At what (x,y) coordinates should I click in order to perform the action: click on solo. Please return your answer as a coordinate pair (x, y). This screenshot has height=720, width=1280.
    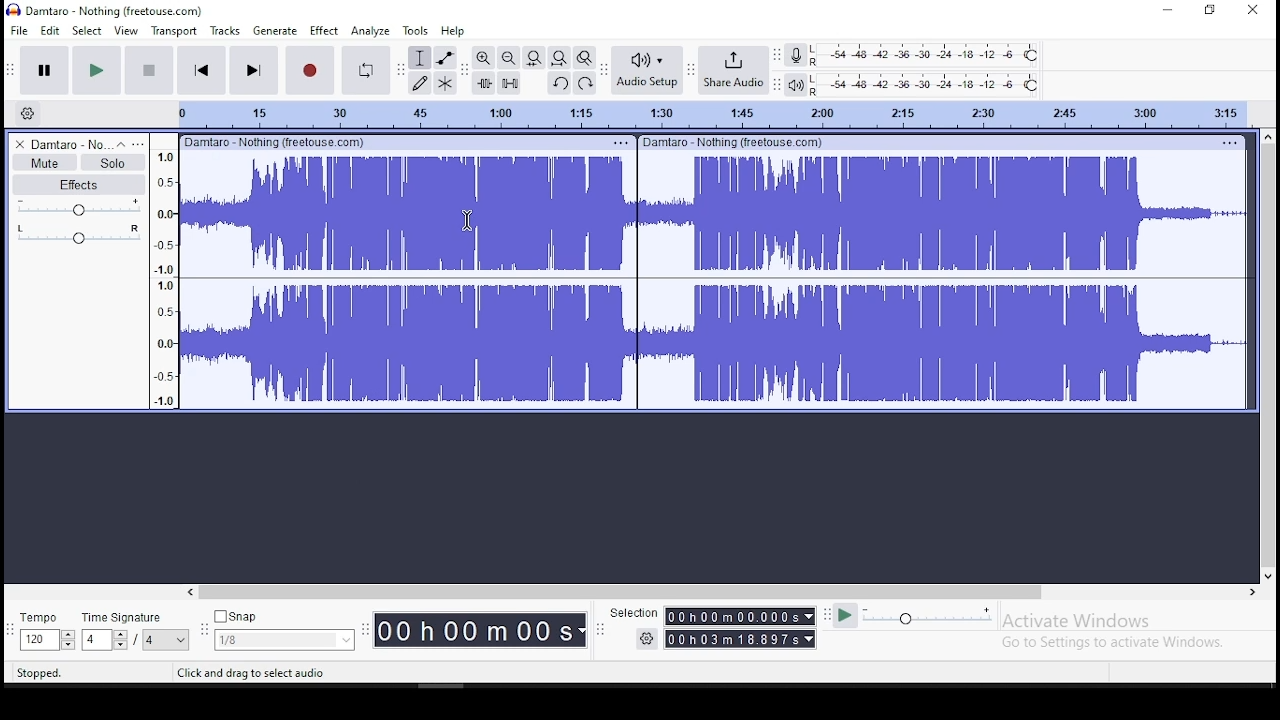
    Looking at the image, I should click on (112, 162).